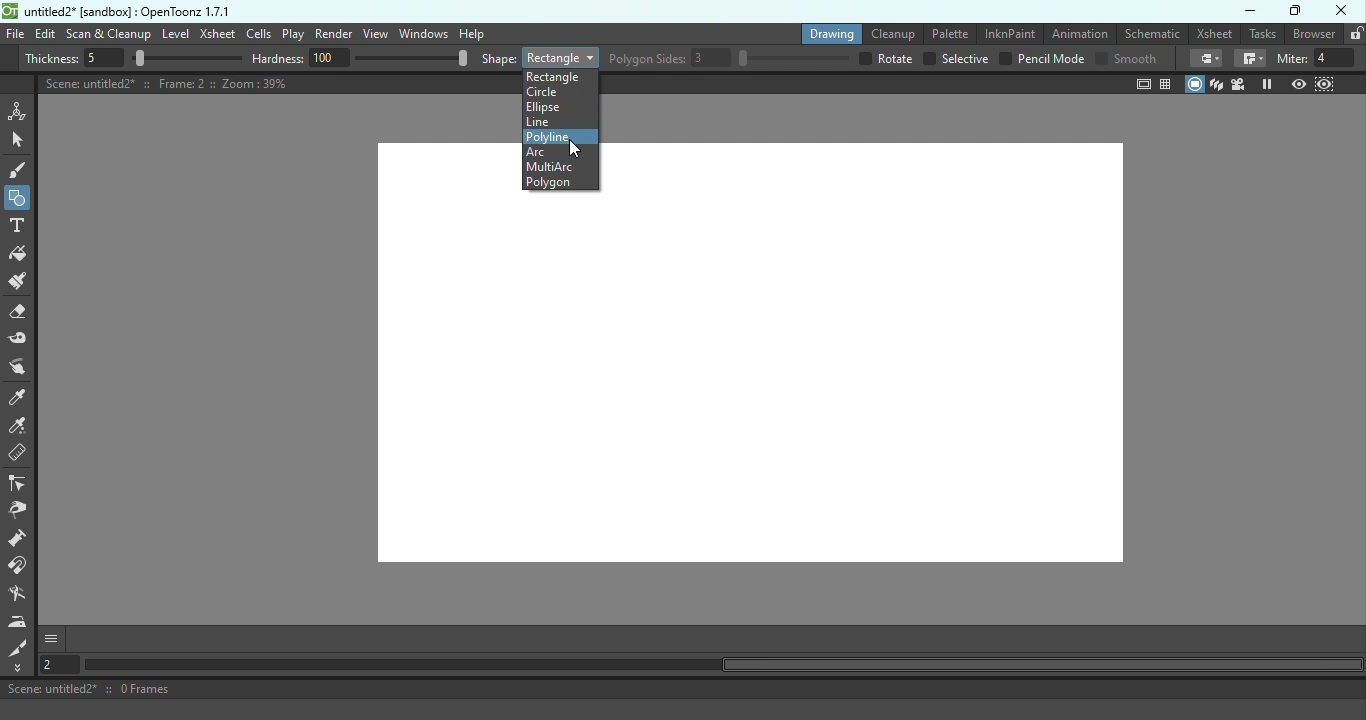 This screenshot has height=720, width=1366. I want to click on Selection tool, so click(20, 141).